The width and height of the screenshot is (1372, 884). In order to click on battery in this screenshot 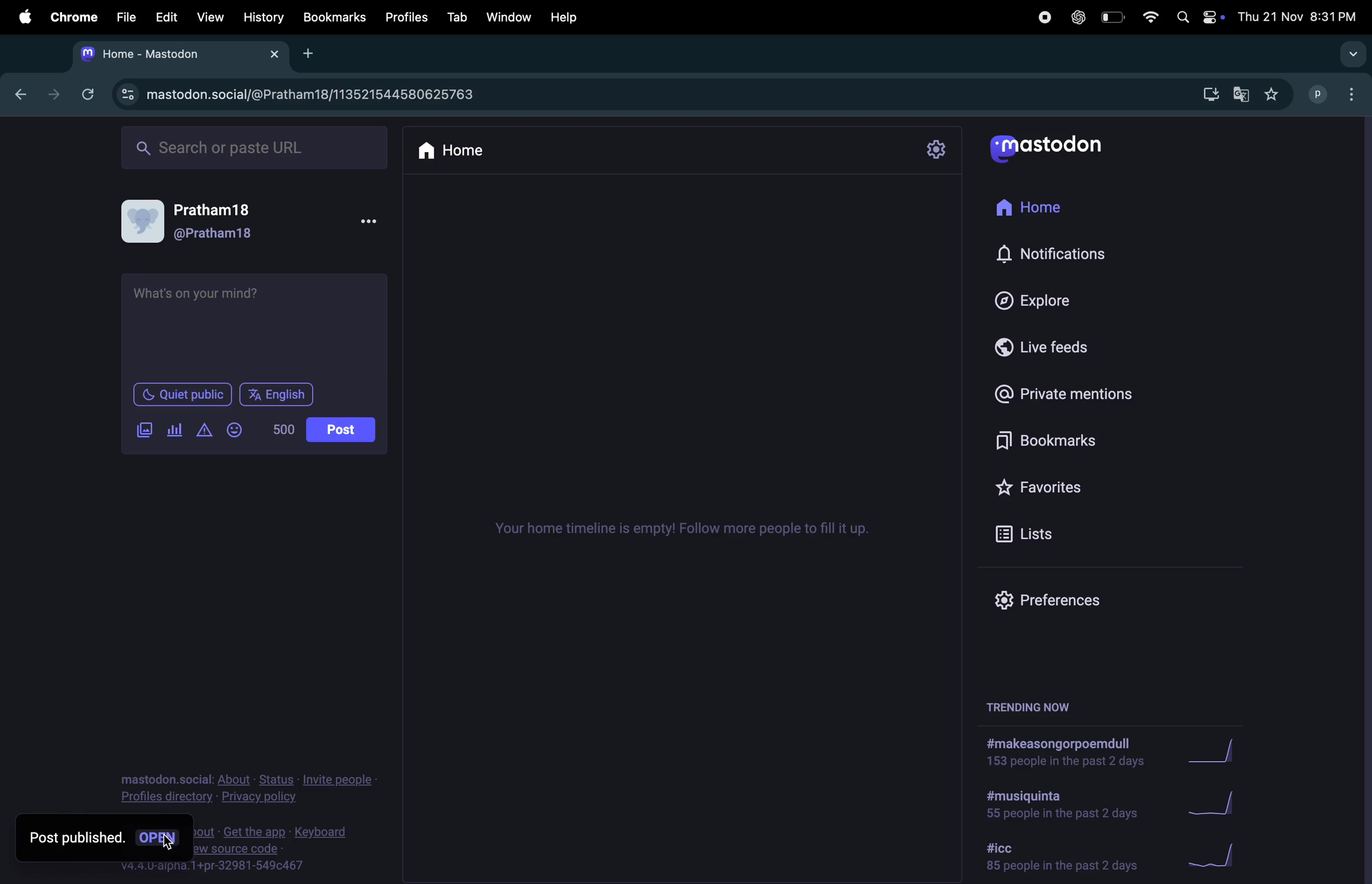, I will do `click(1113, 18)`.